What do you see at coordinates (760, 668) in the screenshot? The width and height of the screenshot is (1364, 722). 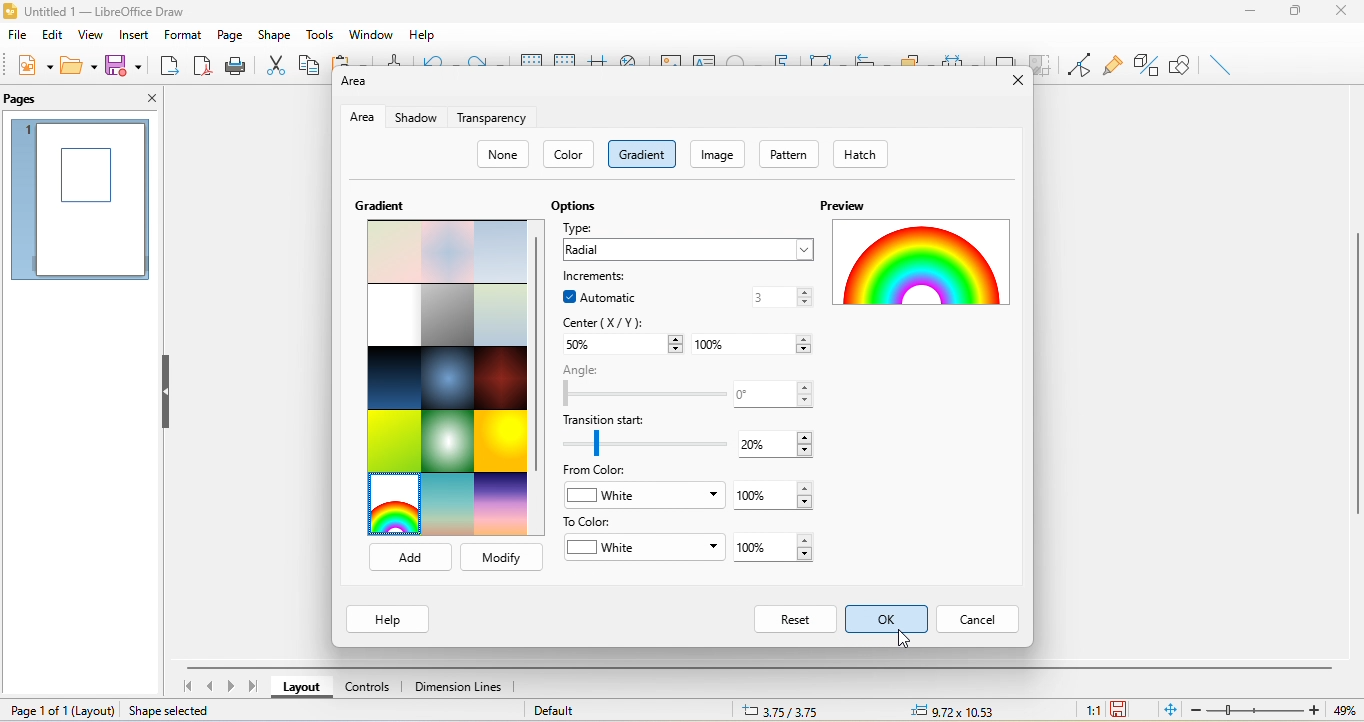 I see `horizontal scroll bar` at bounding box center [760, 668].